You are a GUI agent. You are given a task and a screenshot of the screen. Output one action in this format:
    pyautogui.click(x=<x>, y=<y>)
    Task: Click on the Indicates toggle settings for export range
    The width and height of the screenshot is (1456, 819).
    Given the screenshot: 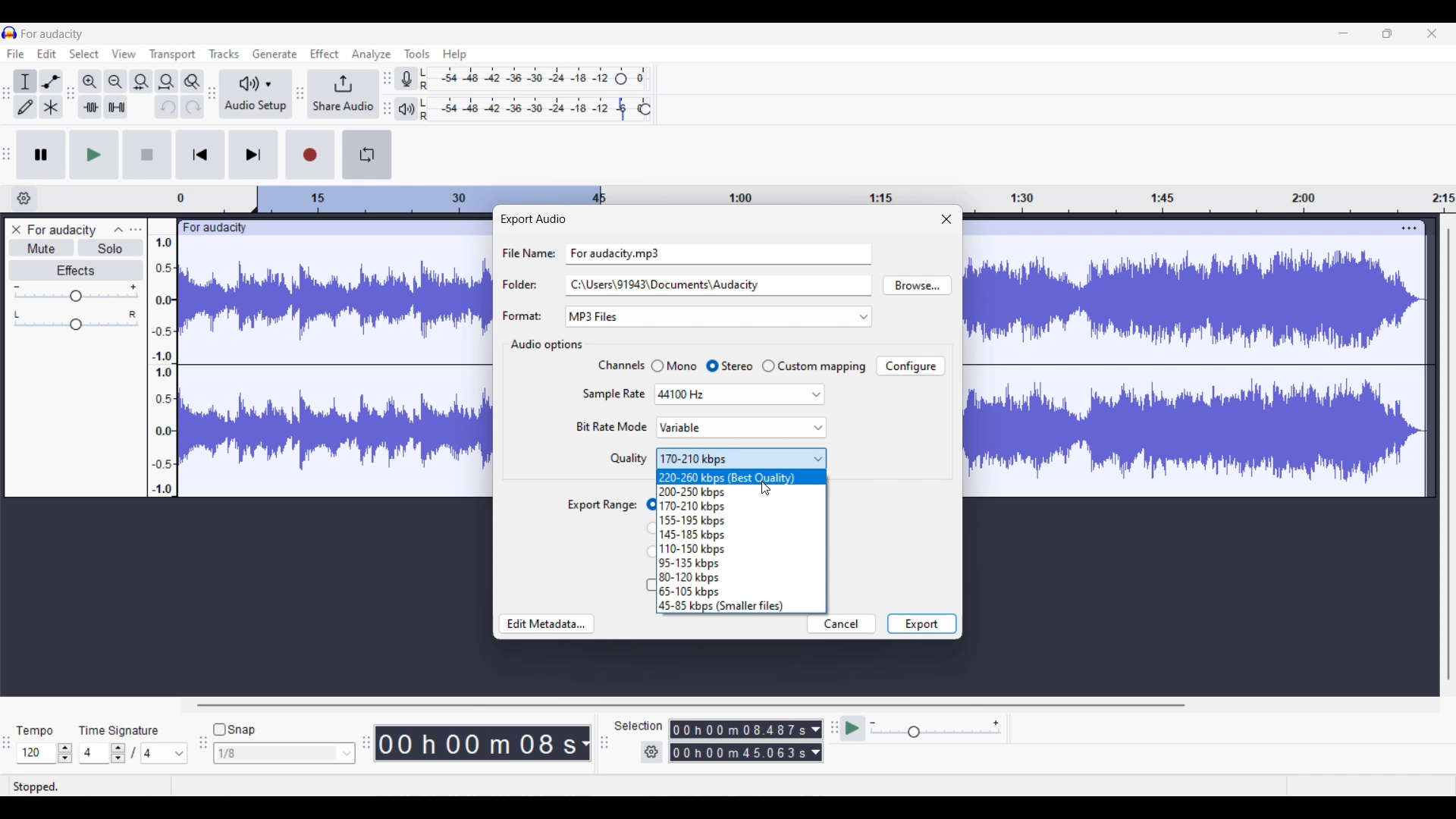 What is the action you would take?
    pyautogui.click(x=603, y=506)
    